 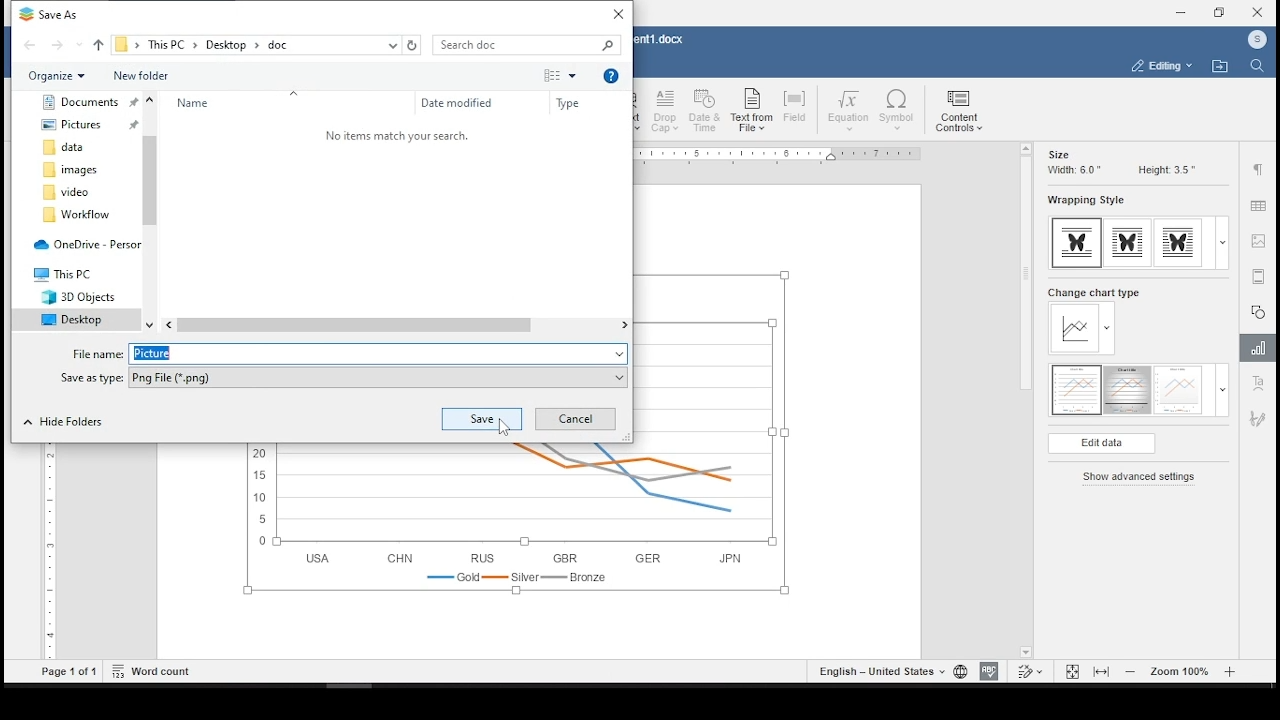 What do you see at coordinates (1178, 243) in the screenshot?
I see `wrapping style` at bounding box center [1178, 243].